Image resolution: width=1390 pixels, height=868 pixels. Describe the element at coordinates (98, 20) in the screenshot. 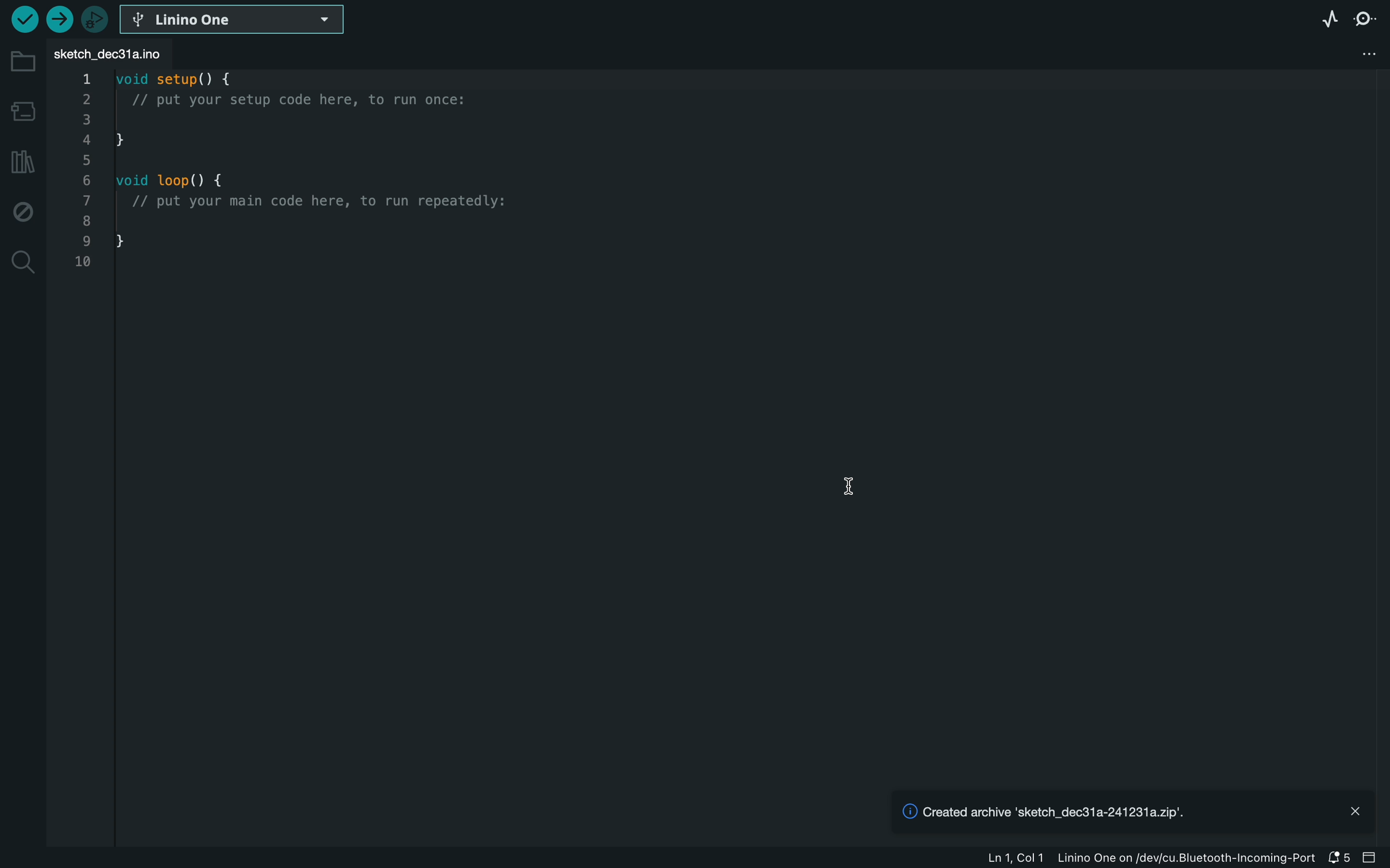

I see `debugger` at that location.